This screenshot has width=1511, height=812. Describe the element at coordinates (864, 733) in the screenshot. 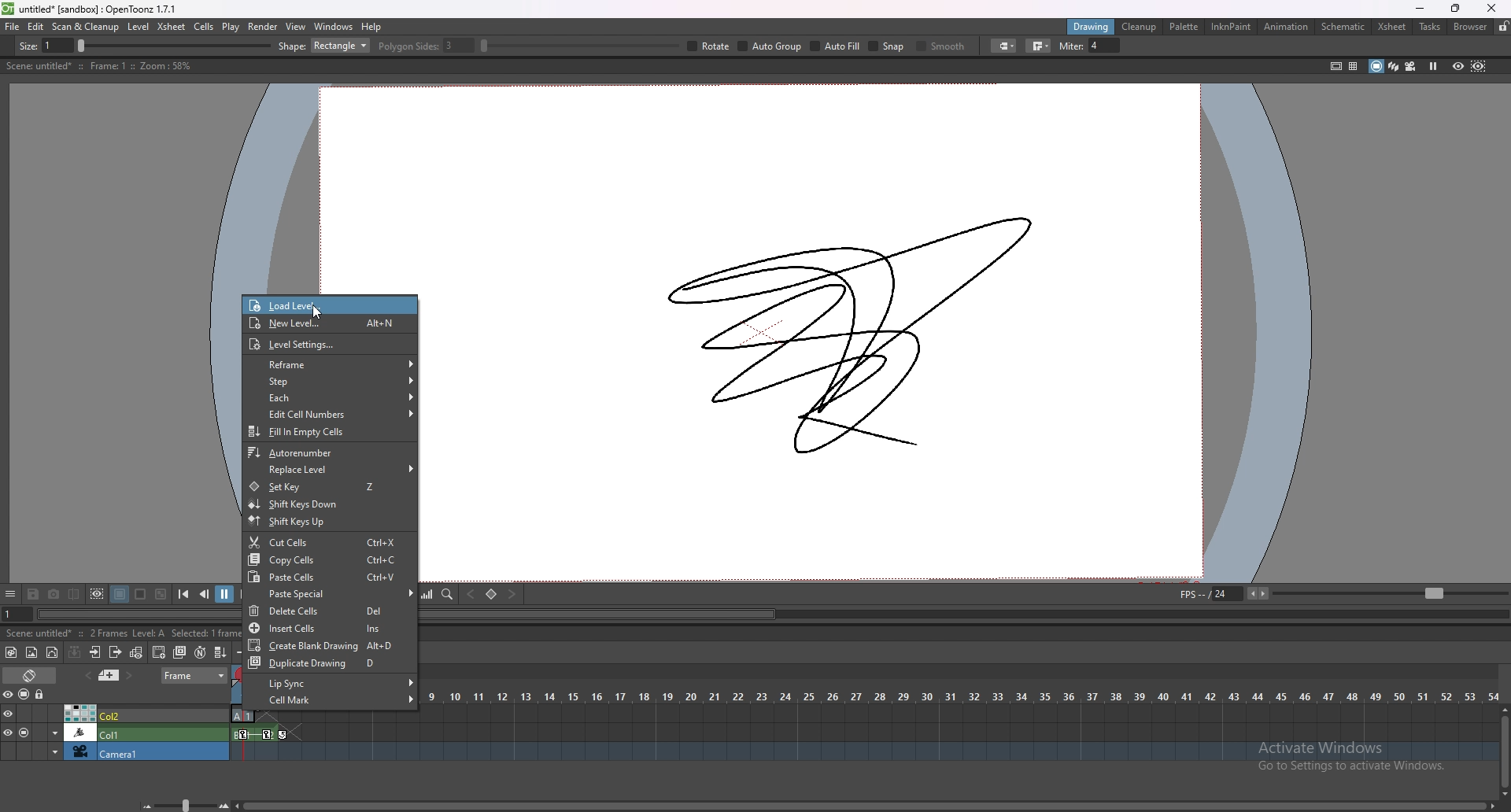

I see `timeline` at that location.